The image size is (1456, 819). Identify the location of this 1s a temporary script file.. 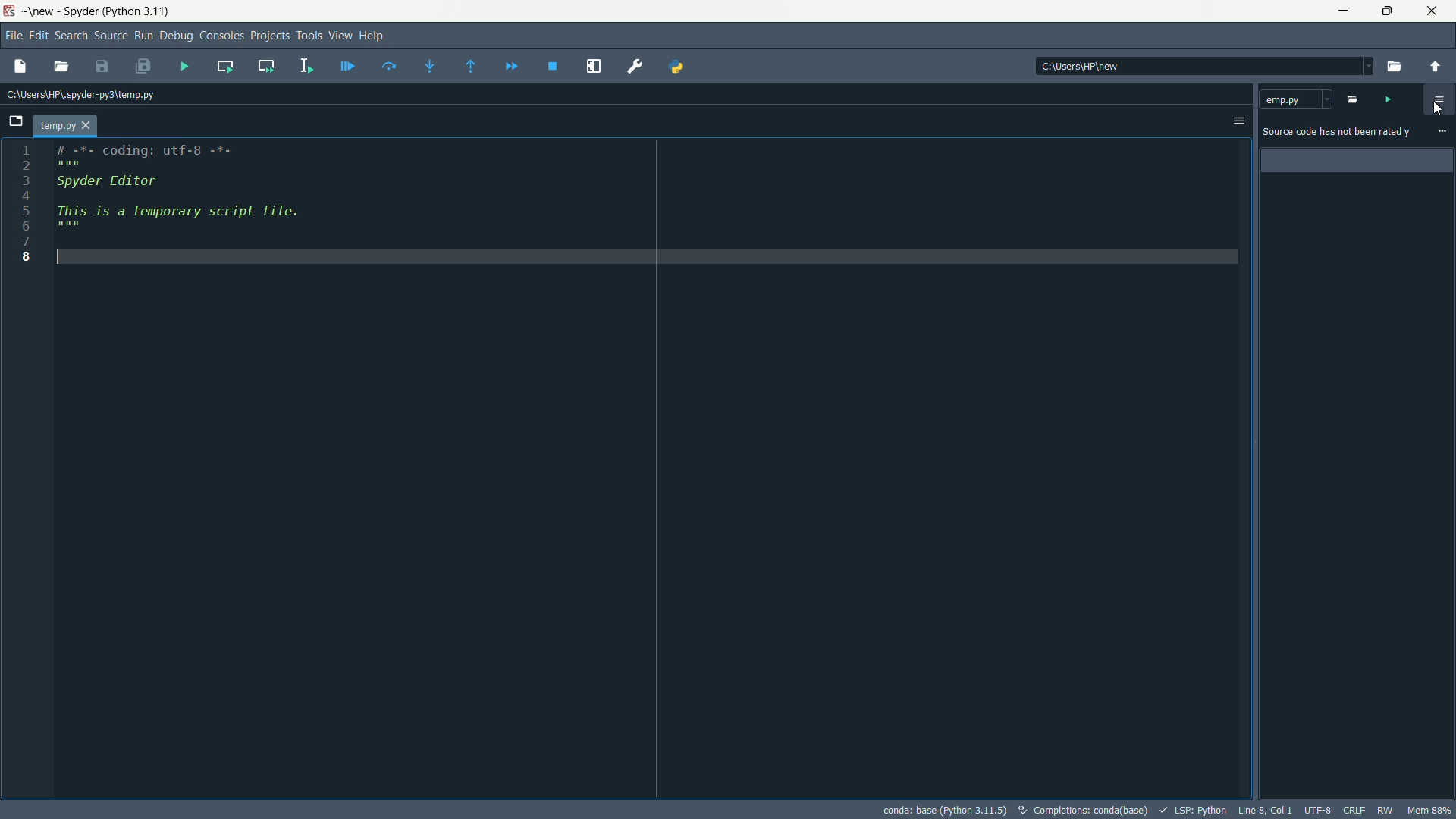
(192, 222).